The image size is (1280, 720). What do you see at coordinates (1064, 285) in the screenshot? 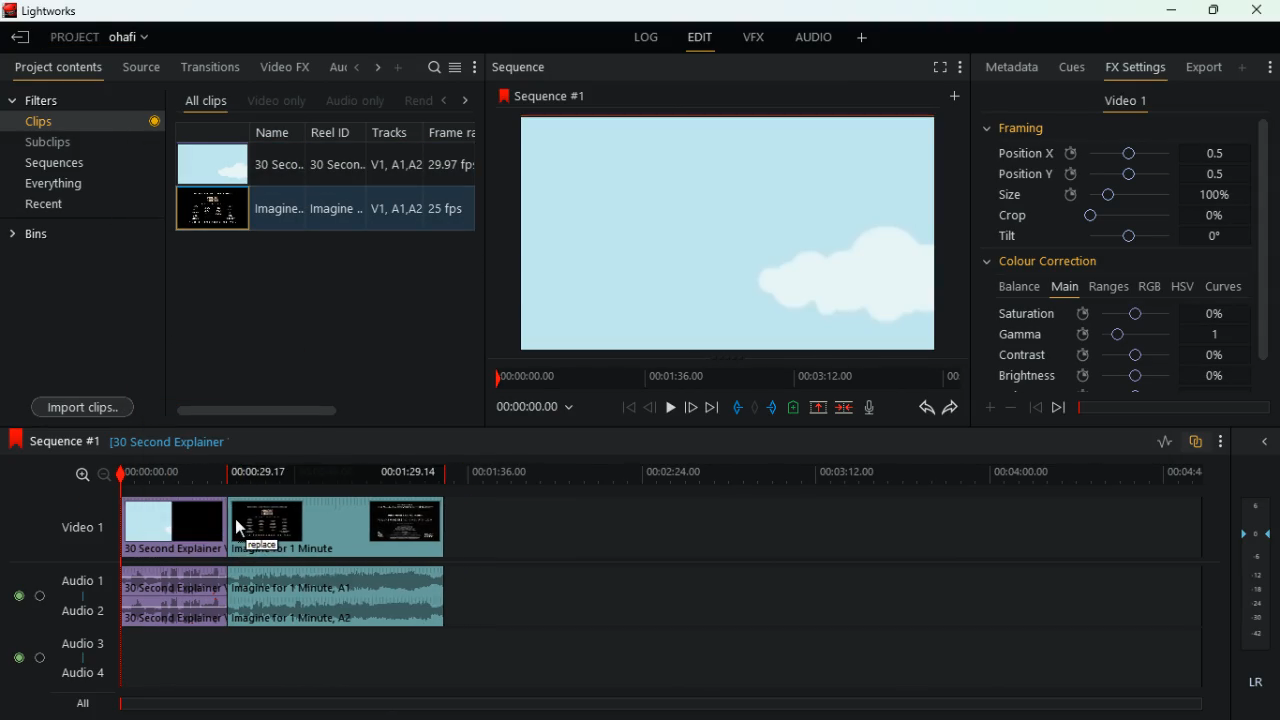
I see `main` at bounding box center [1064, 285].